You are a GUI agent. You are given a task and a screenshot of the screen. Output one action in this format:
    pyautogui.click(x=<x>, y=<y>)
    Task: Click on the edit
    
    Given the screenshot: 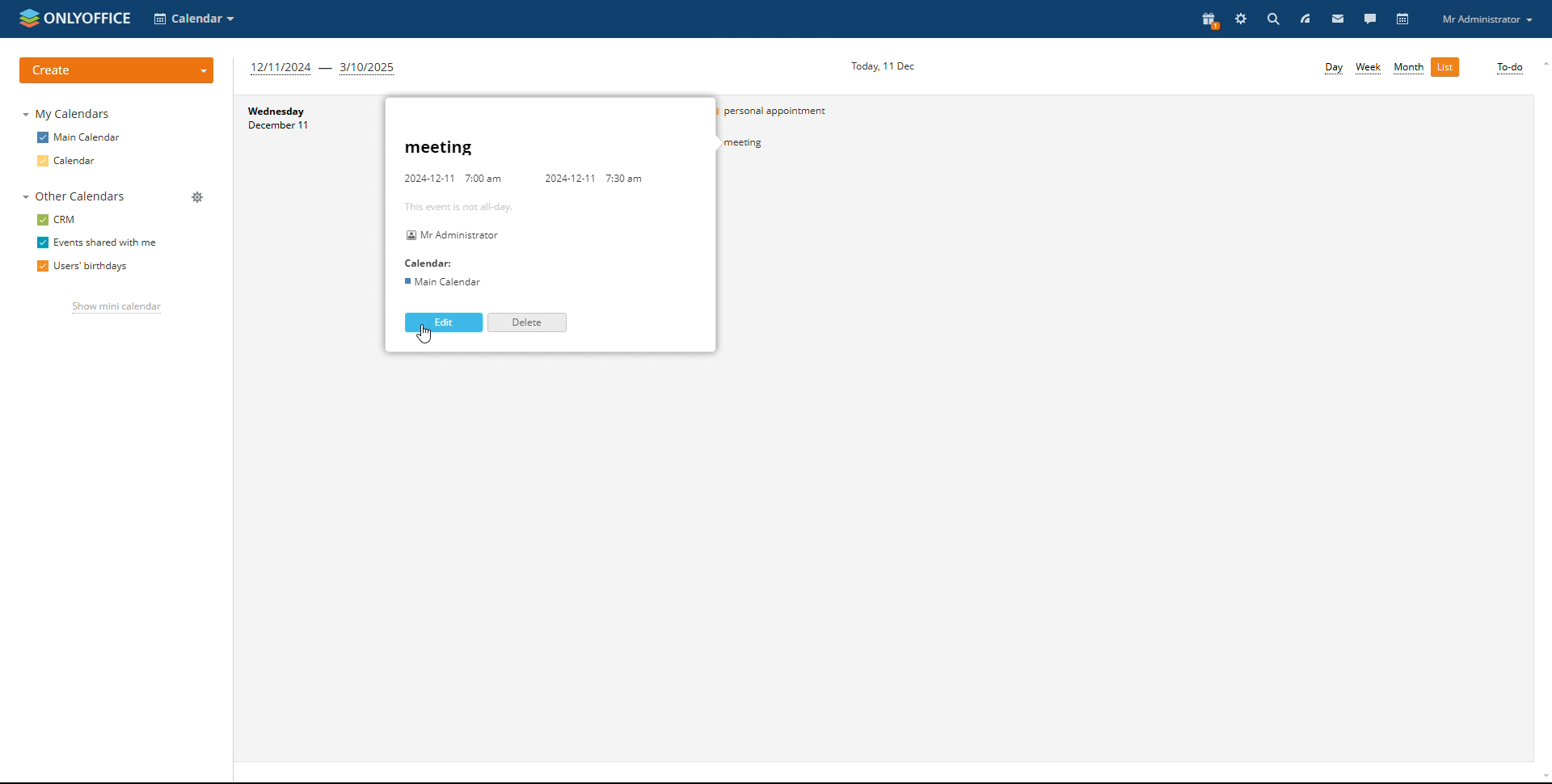 What is the action you would take?
    pyautogui.click(x=444, y=322)
    